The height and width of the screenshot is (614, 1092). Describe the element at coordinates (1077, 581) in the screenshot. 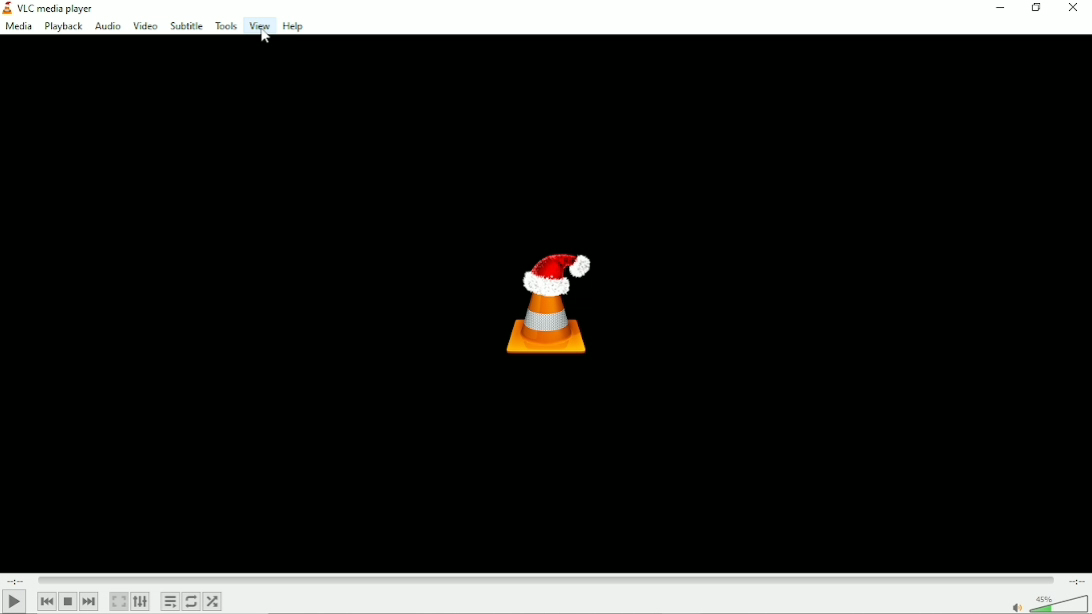

I see `Total duration` at that location.